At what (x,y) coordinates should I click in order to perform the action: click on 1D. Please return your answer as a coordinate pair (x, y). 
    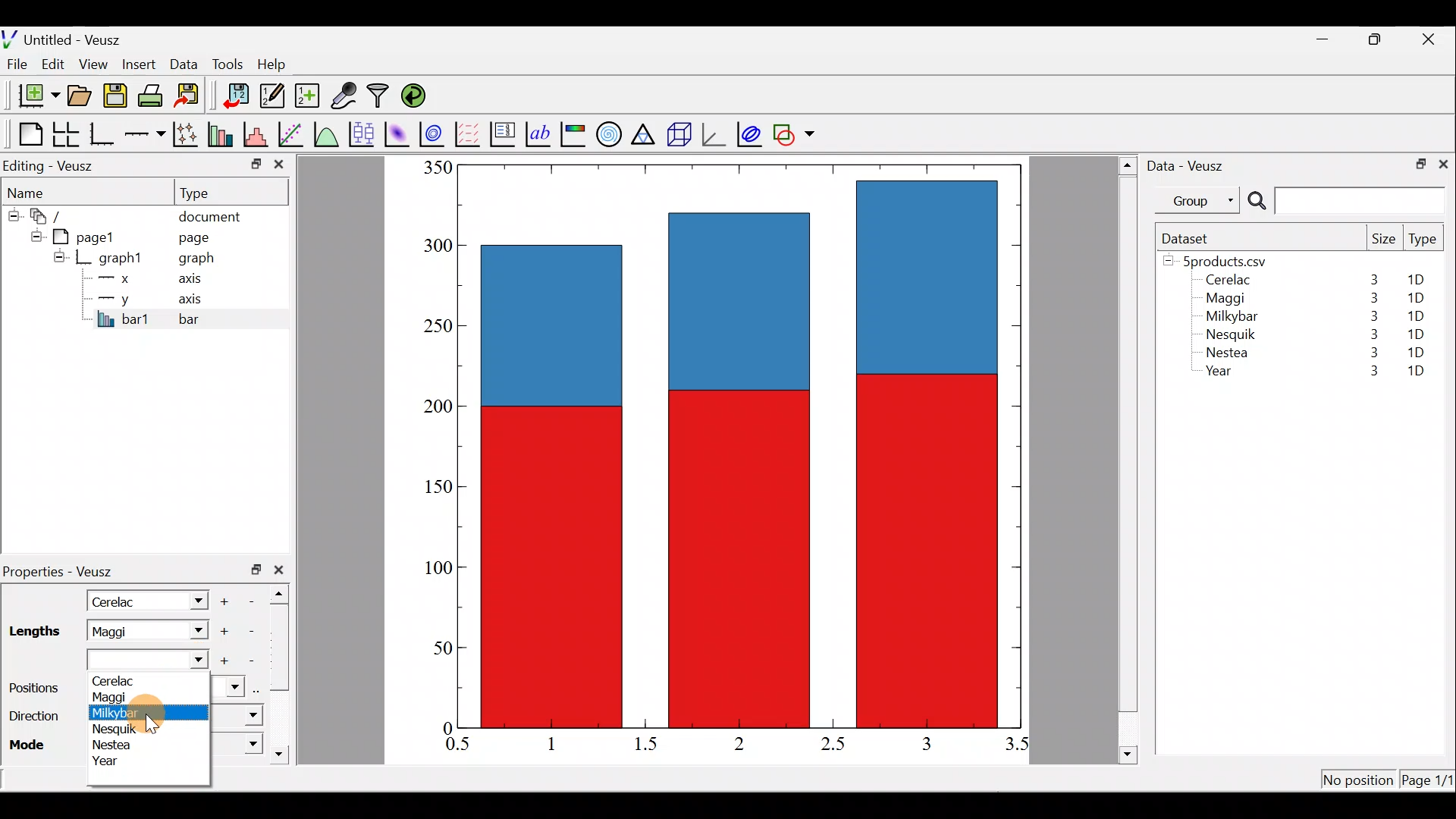
    Looking at the image, I should click on (1412, 315).